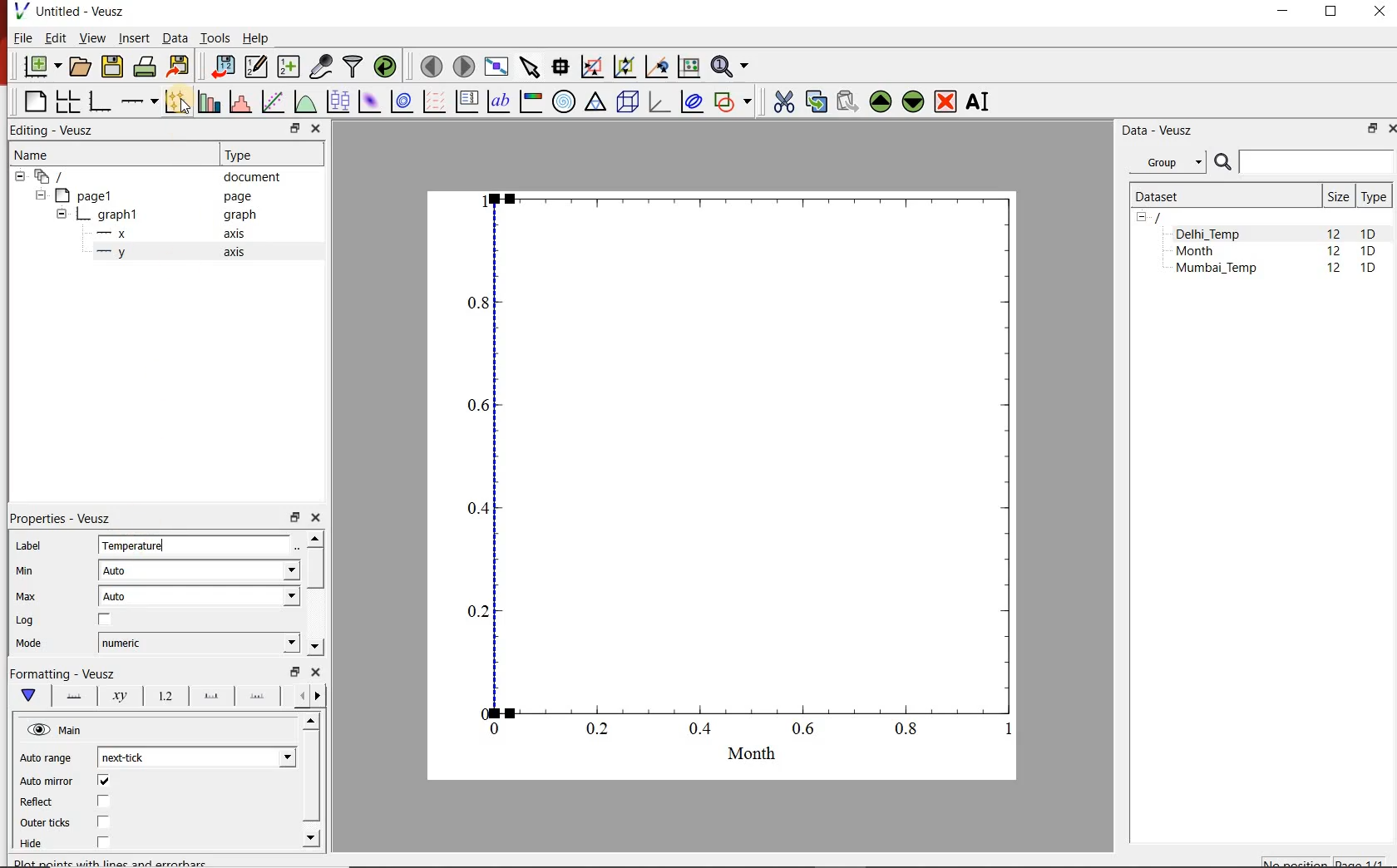 The image size is (1397, 868). Describe the element at coordinates (560, 67) in the screenshot. I see `read data points on the graph` at that location.